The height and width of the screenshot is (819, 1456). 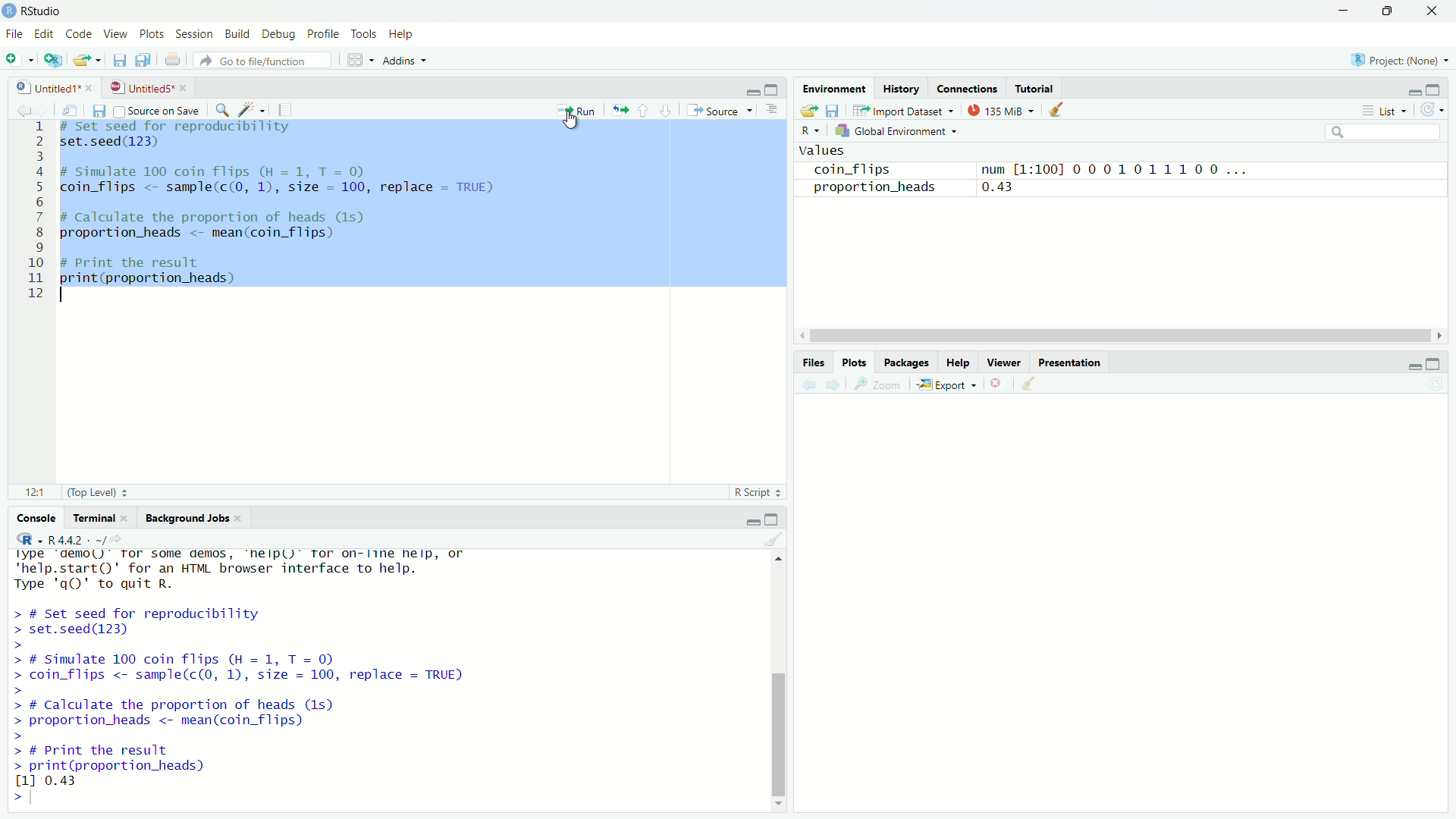 I want to click on minimize, so click(x=748, y=89).